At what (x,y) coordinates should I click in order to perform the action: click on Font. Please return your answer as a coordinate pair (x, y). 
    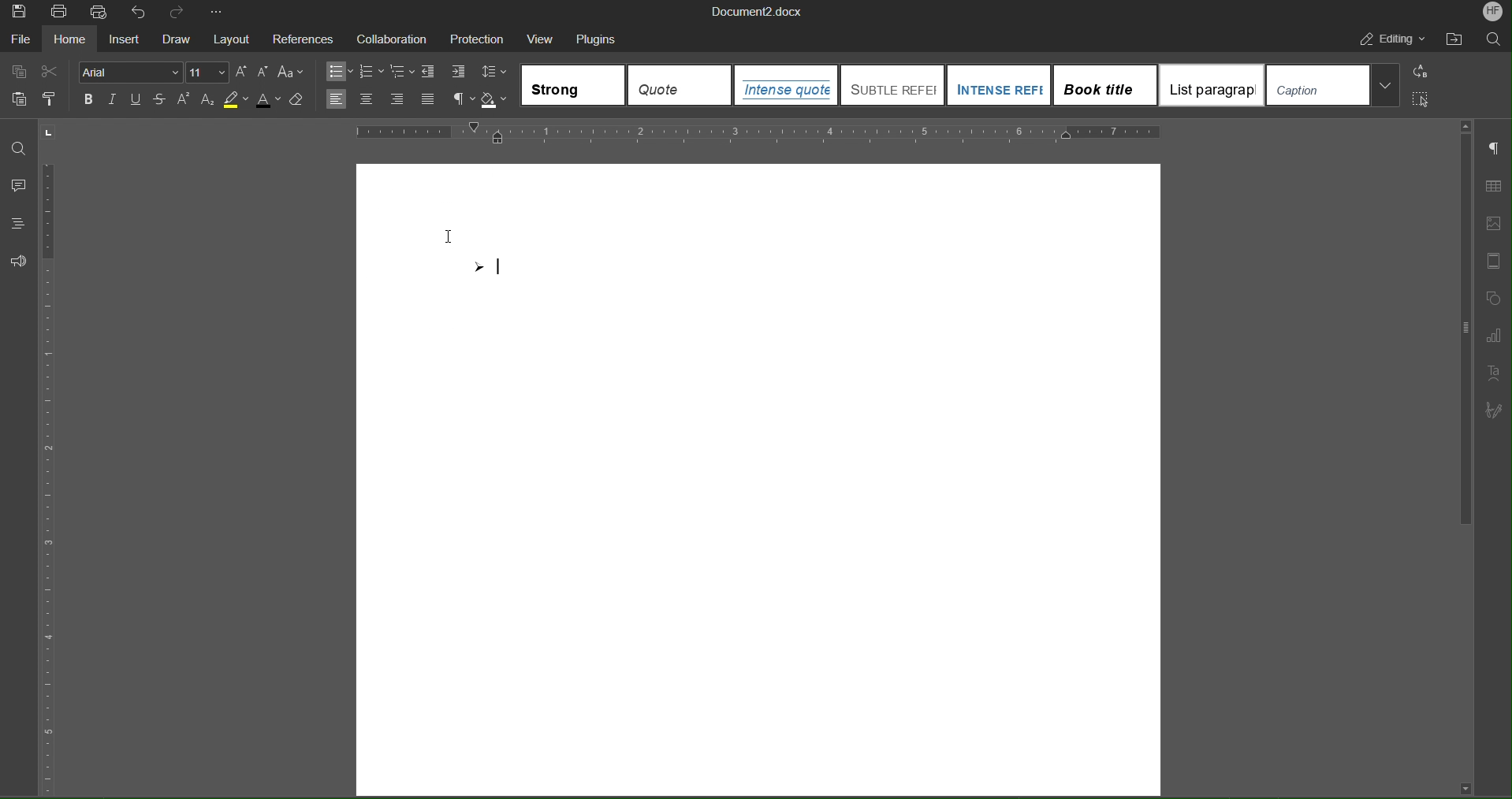
    Looking at the image, I should click on (132, 72).